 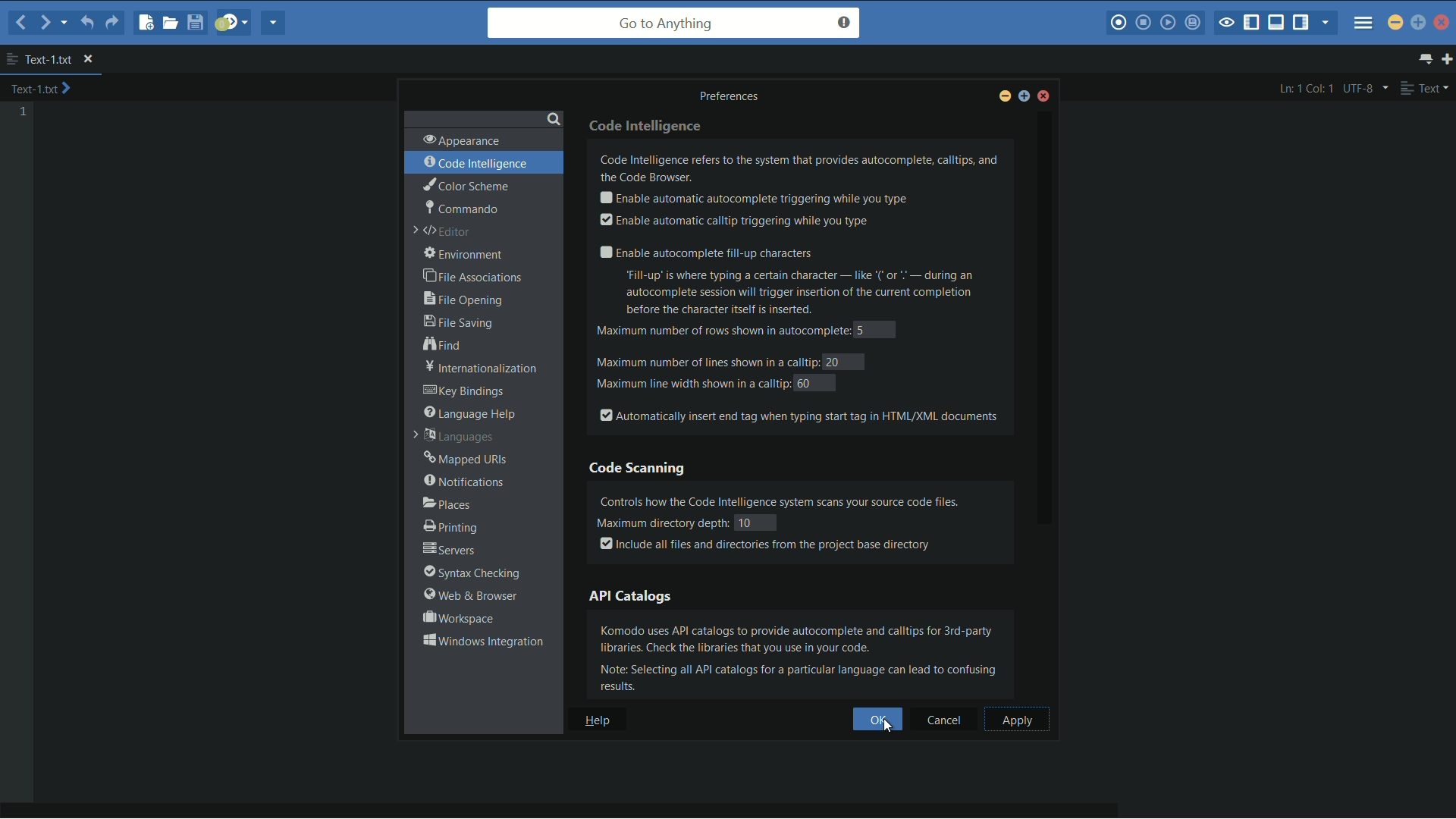 What do you see at coordinates (466, 391) in the screenshot?
I see `key bindings` at bounding box center [466, 391].